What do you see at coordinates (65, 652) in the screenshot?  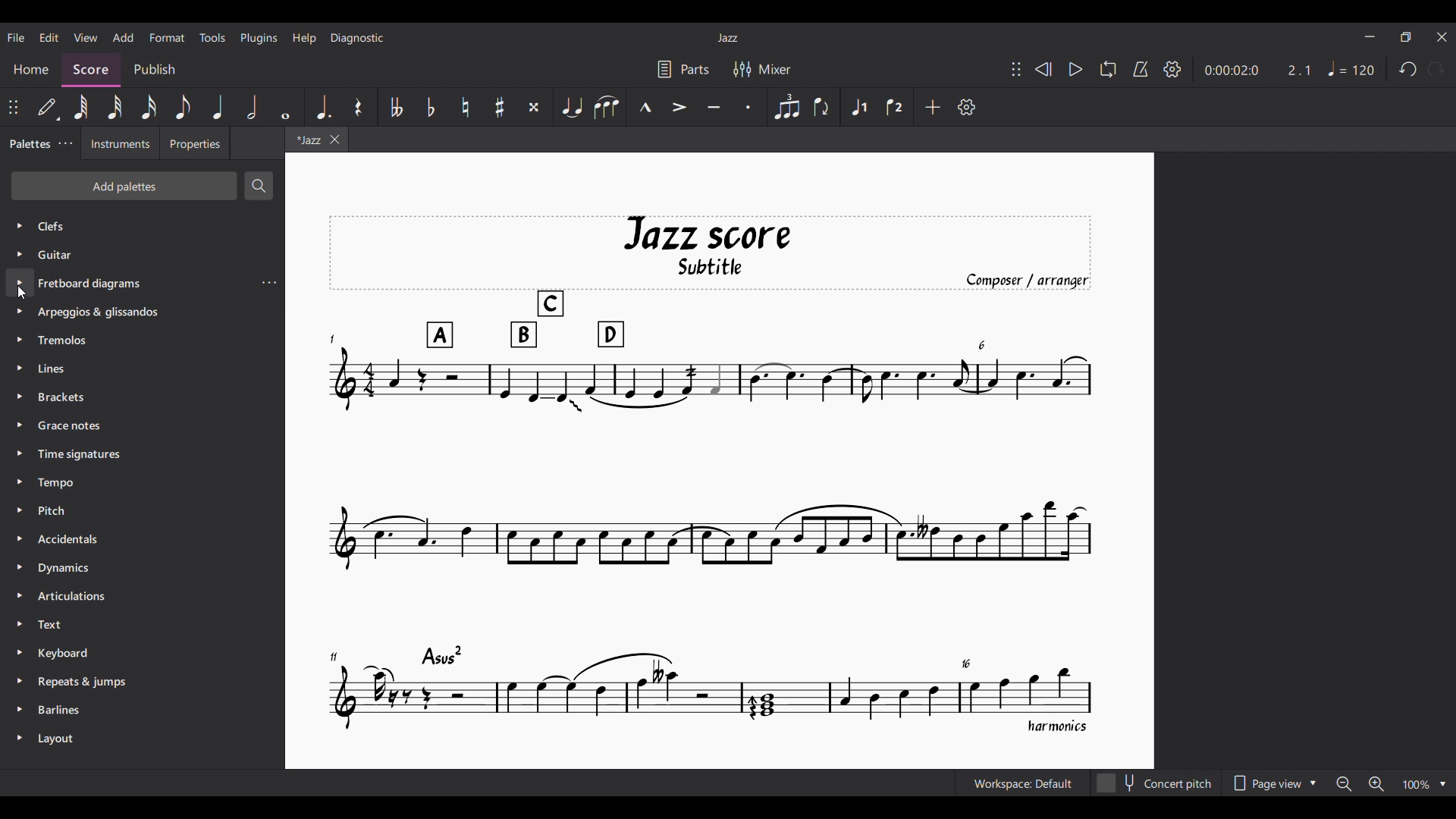 I see `Keyboard` at bounding box center [65, 652].